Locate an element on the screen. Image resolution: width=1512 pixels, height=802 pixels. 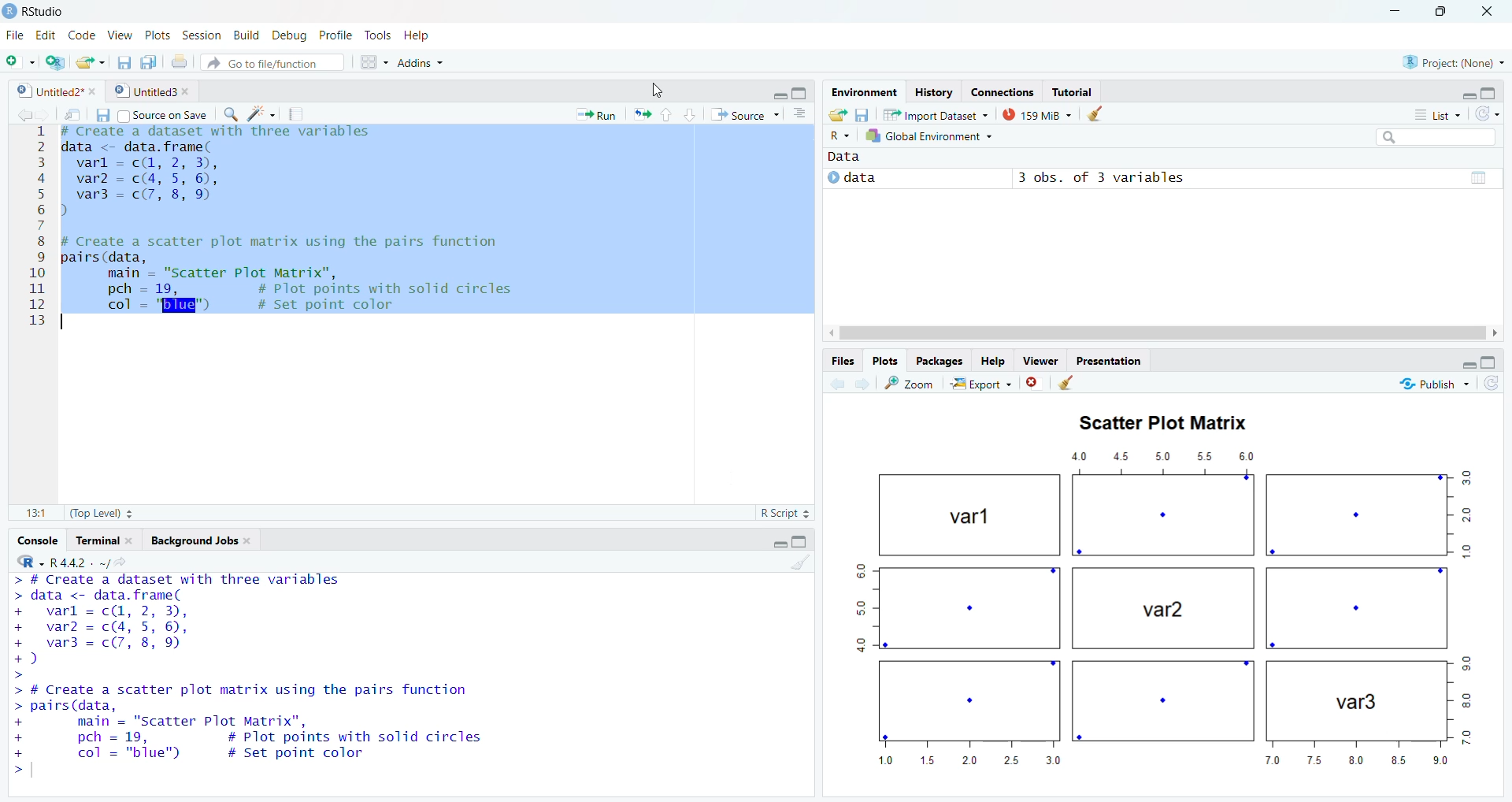
Remove current viewer item is located at coordinates (1034, 387).